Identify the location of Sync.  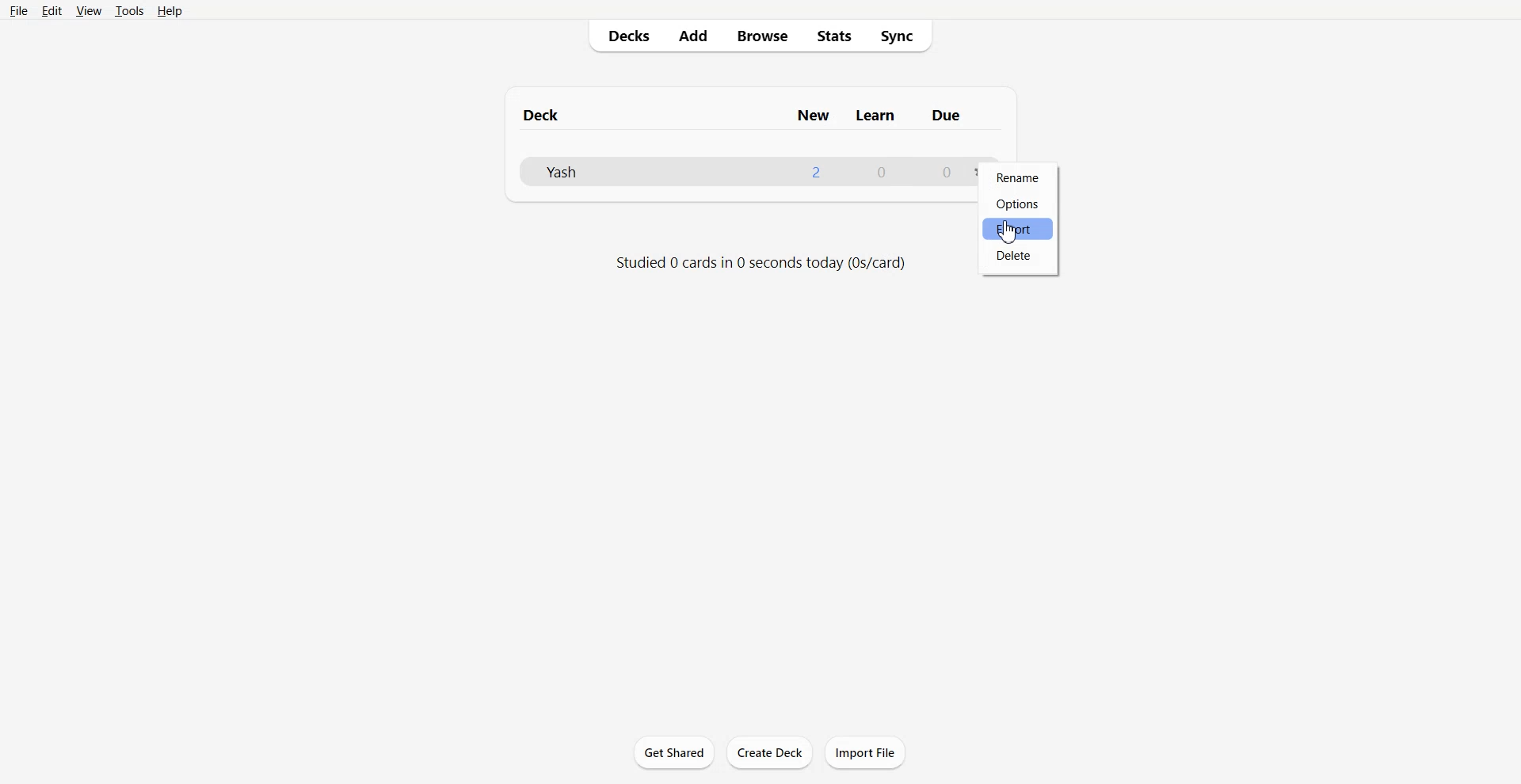
(902, 36).